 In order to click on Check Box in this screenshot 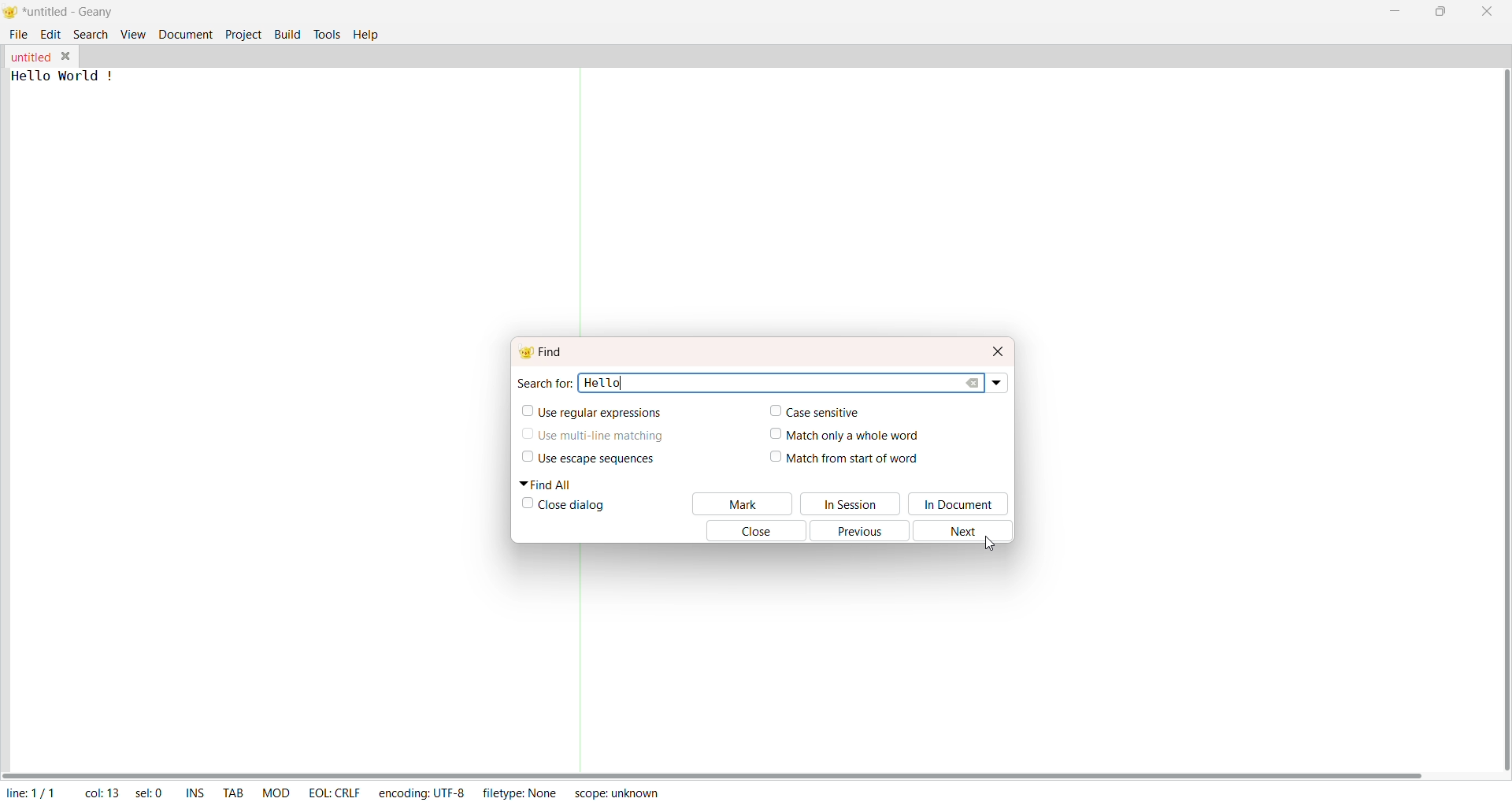, I will do `click(524, 436)`.